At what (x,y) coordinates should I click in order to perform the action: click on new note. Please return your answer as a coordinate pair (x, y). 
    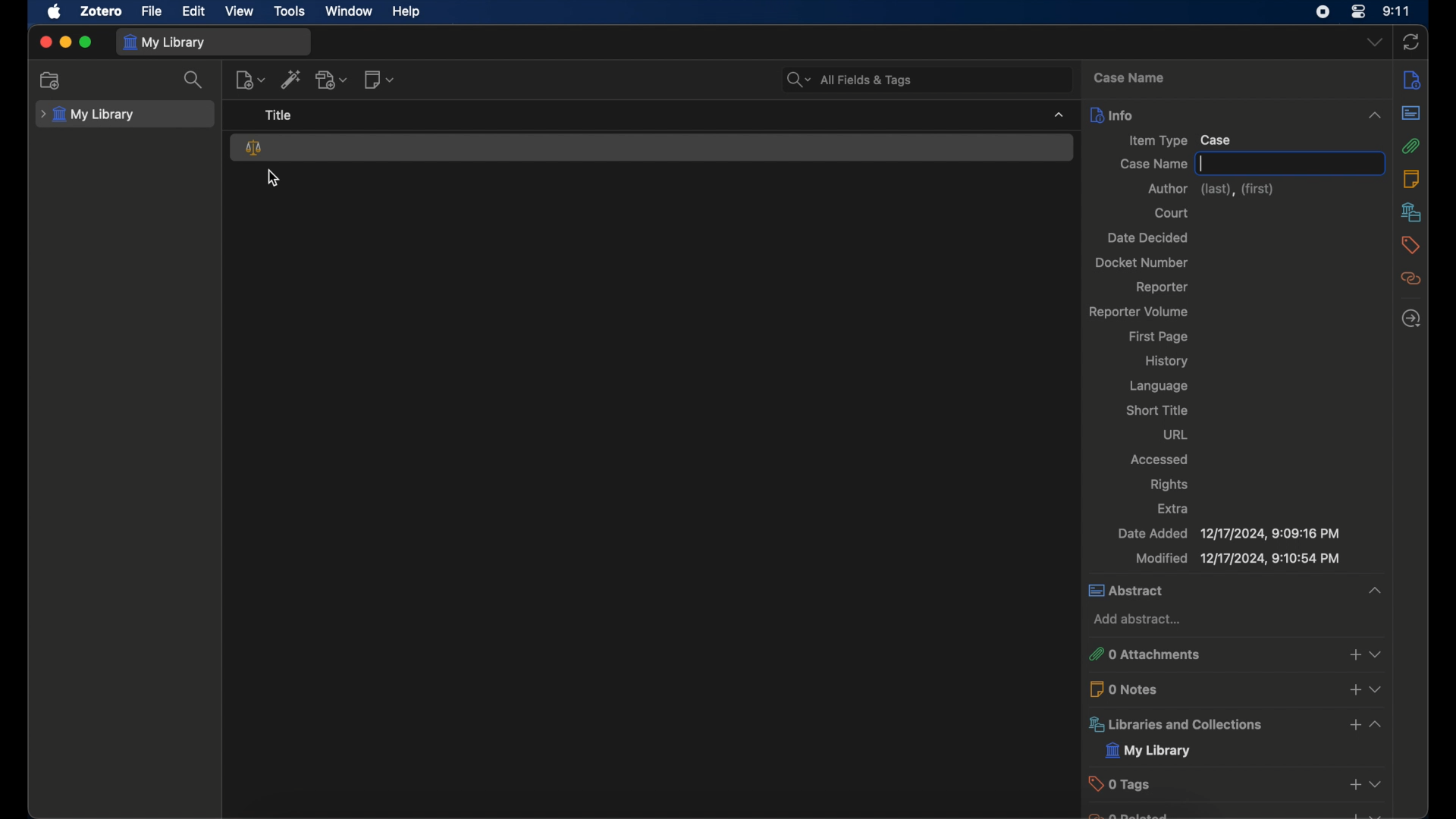
    Looking at the image, I should click on (379, 80).